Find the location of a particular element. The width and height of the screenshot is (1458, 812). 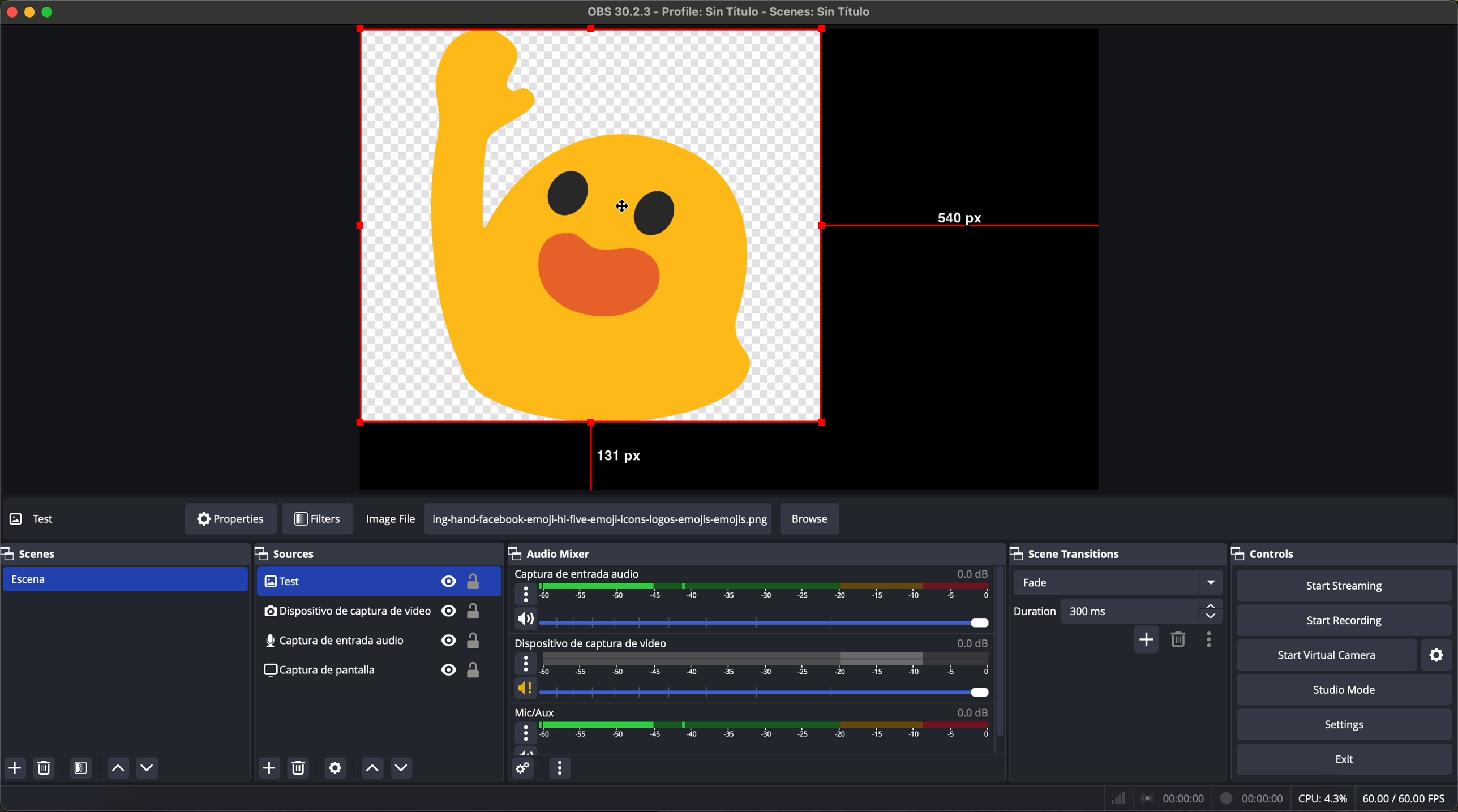

exit is located at coordinates (1346, 761).